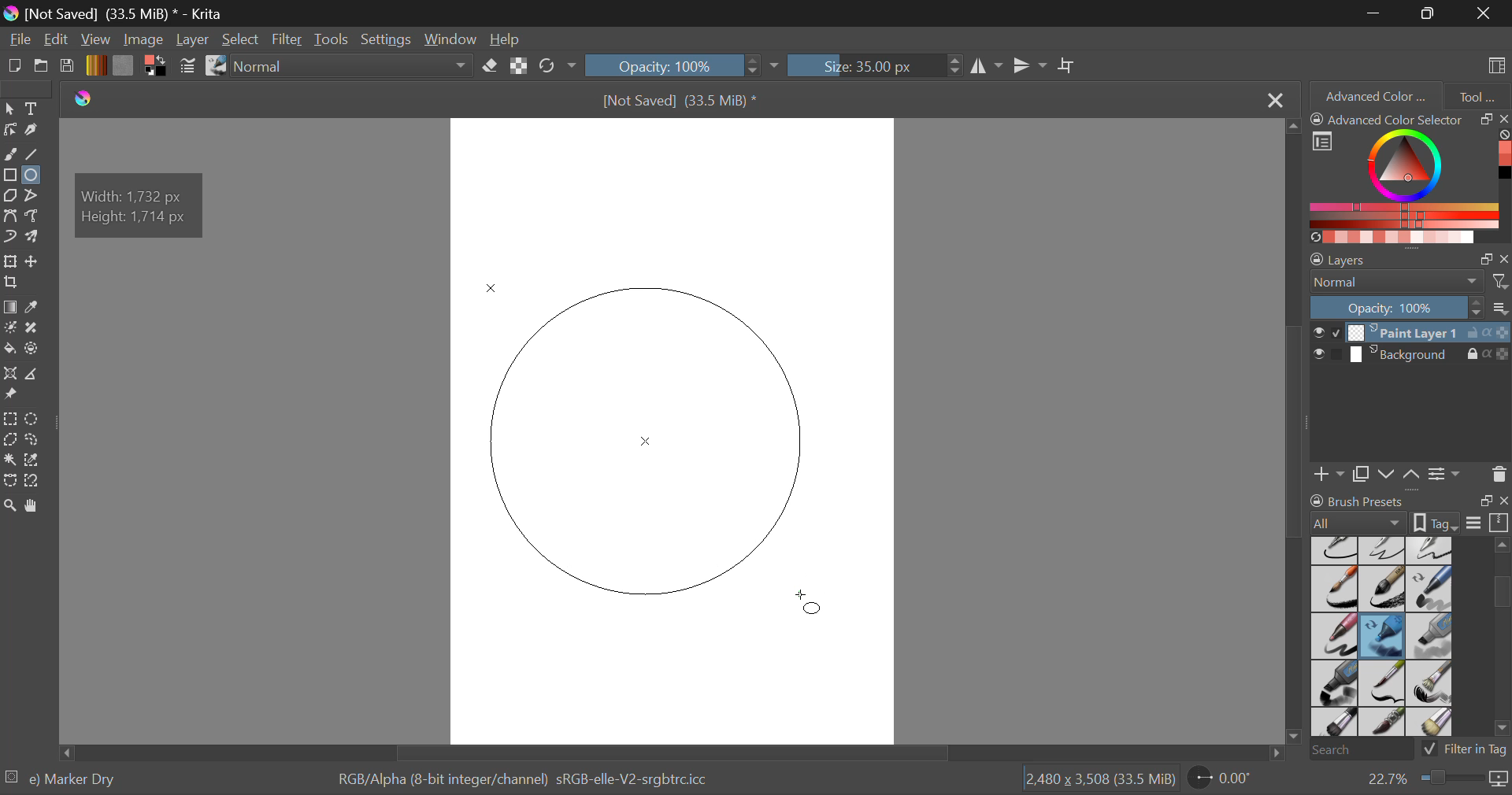 This screenshot has width=1512, height=795. What do you see at coordinates (242, 41) in the screenshot?
I see `Select` at bounding box center [242, 41].